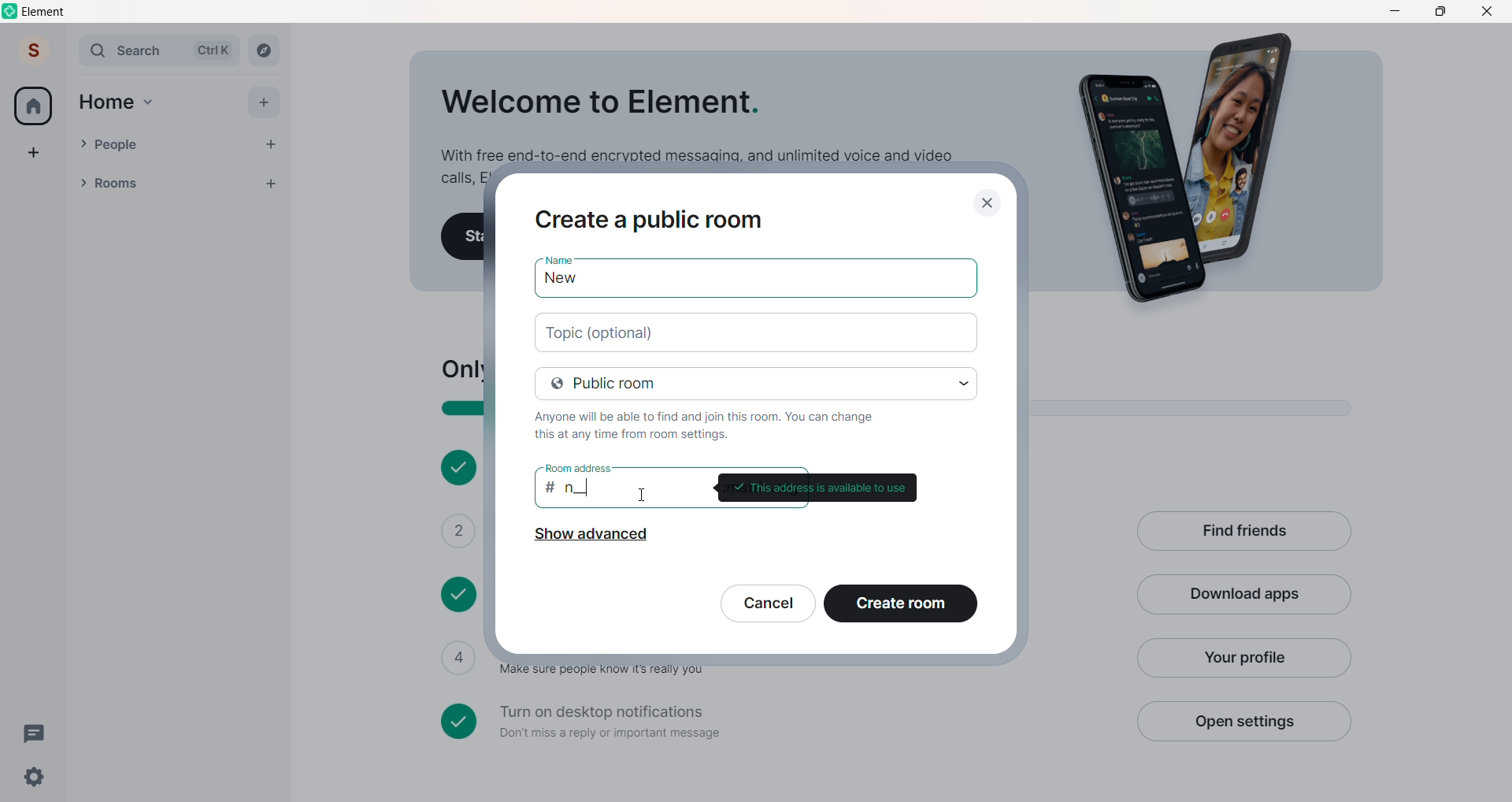 The image size is (1512, 802). What do you see at coordinates (758, 382) in the screenshot?
I see `room privacy set to: "public room"` at bounding box center [758, 382].